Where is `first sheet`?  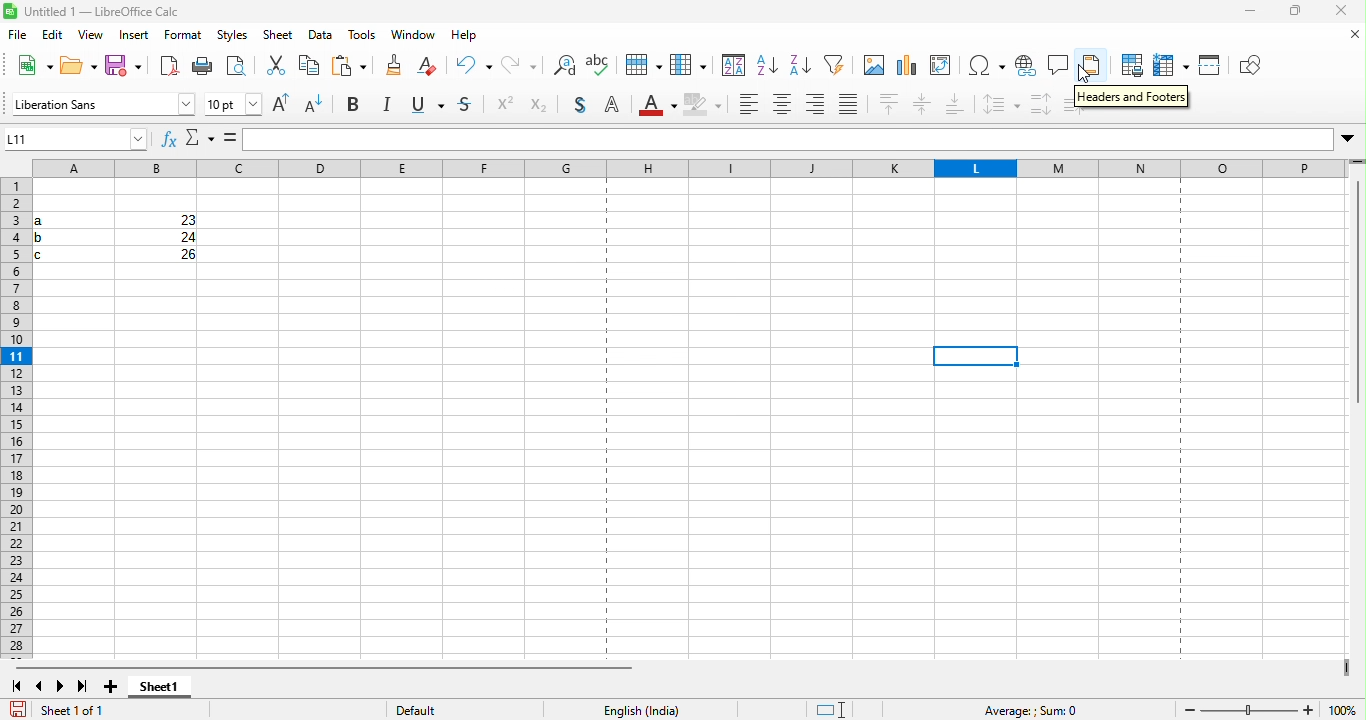
first sheet is located at coordinates (15, 683).